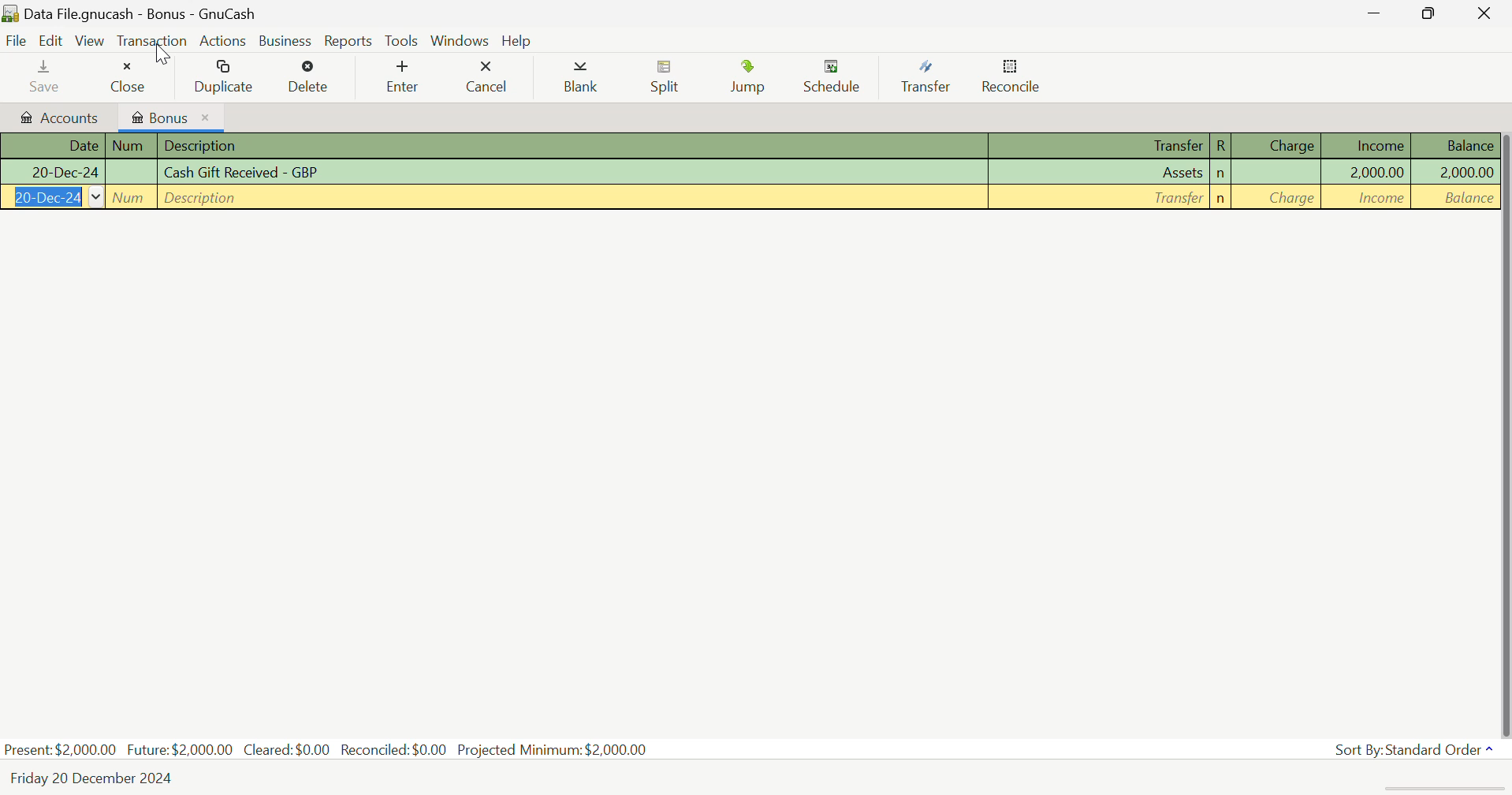 The width and height of the screenshot is (1512, 795). Describe the element at coordinates (151, 39) in the screenshot. I see `Transaction` at that location.